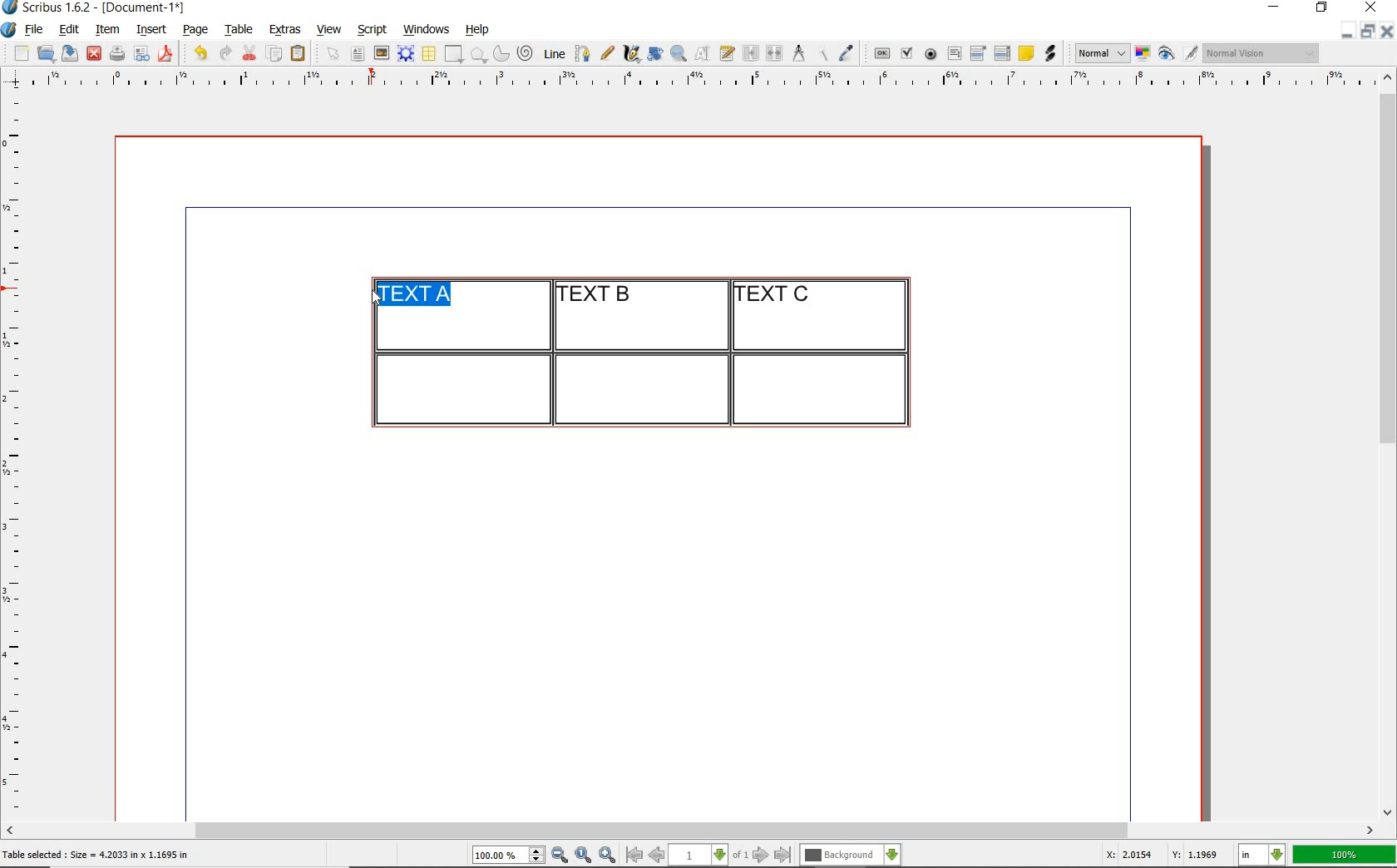 This screenshot has height=868, width=1397. I want to click on Bezier curve, so click(581, 53).